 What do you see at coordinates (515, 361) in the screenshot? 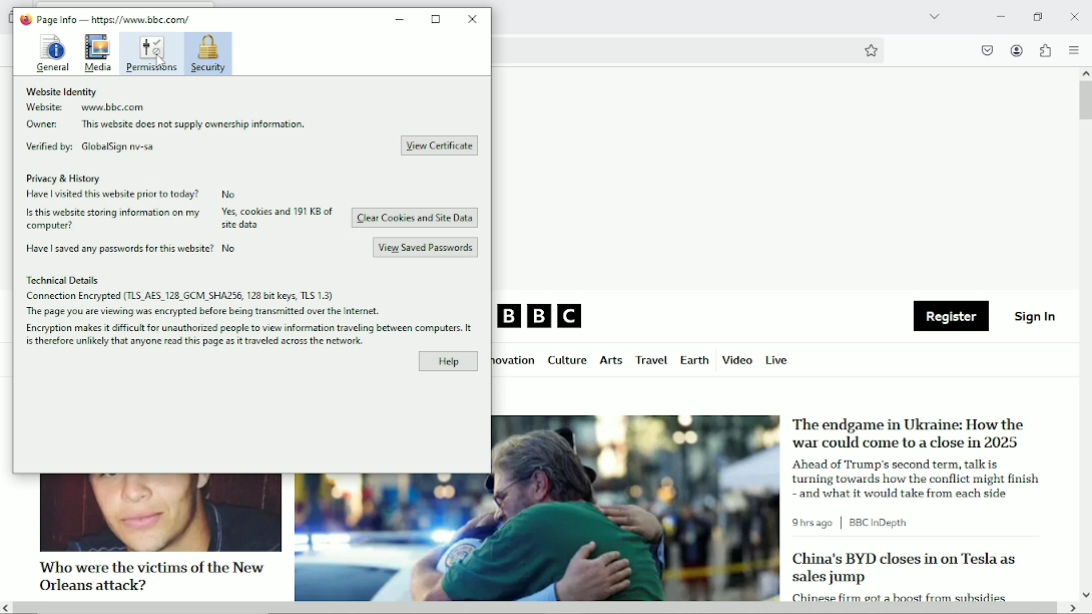
I see `Innovation` at bounding box center [515, 361].